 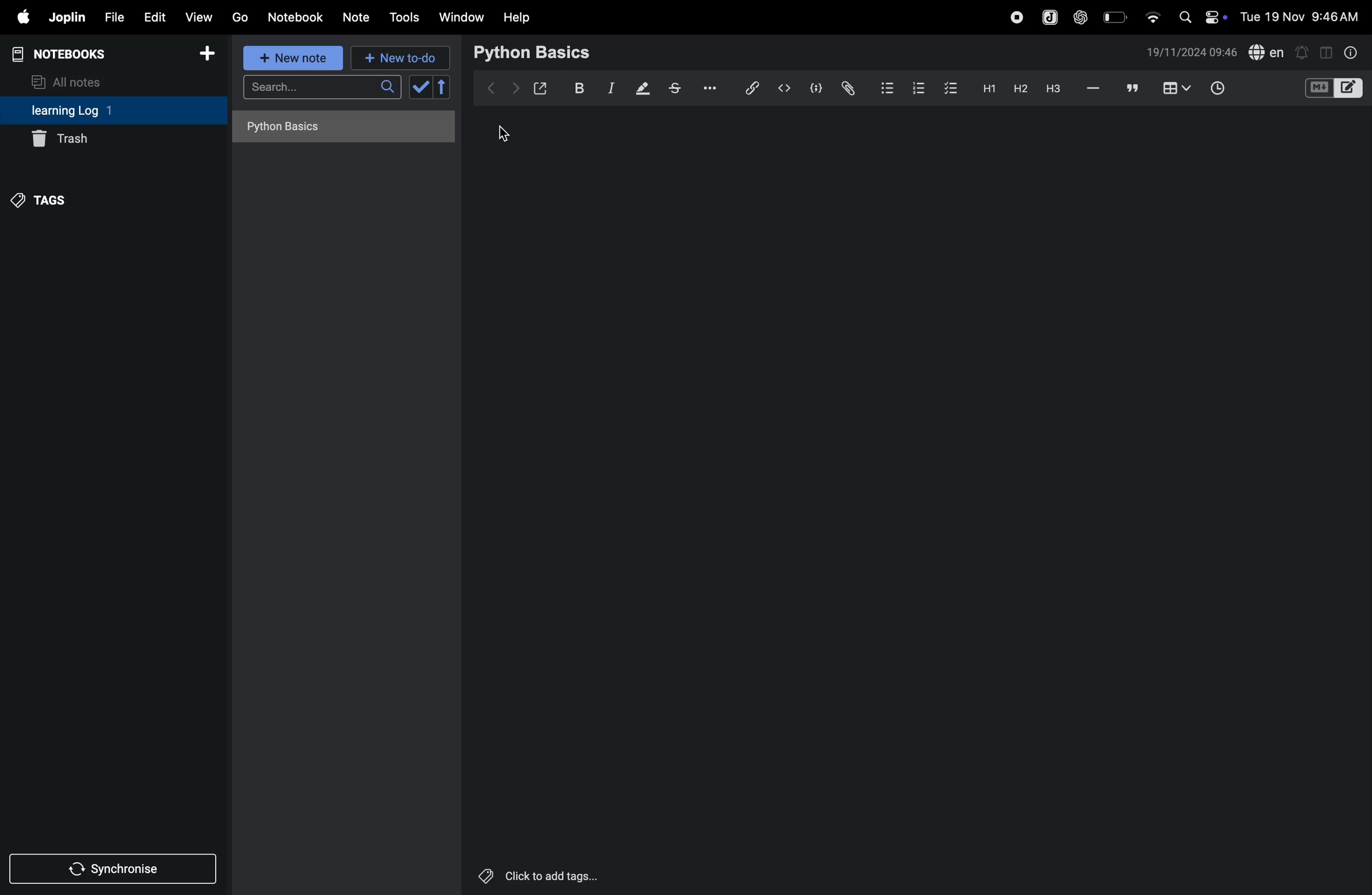 What do you see at coordinates (18, 18) in the screenshot?
I see `apple menu` at bounding box center [18, 18].